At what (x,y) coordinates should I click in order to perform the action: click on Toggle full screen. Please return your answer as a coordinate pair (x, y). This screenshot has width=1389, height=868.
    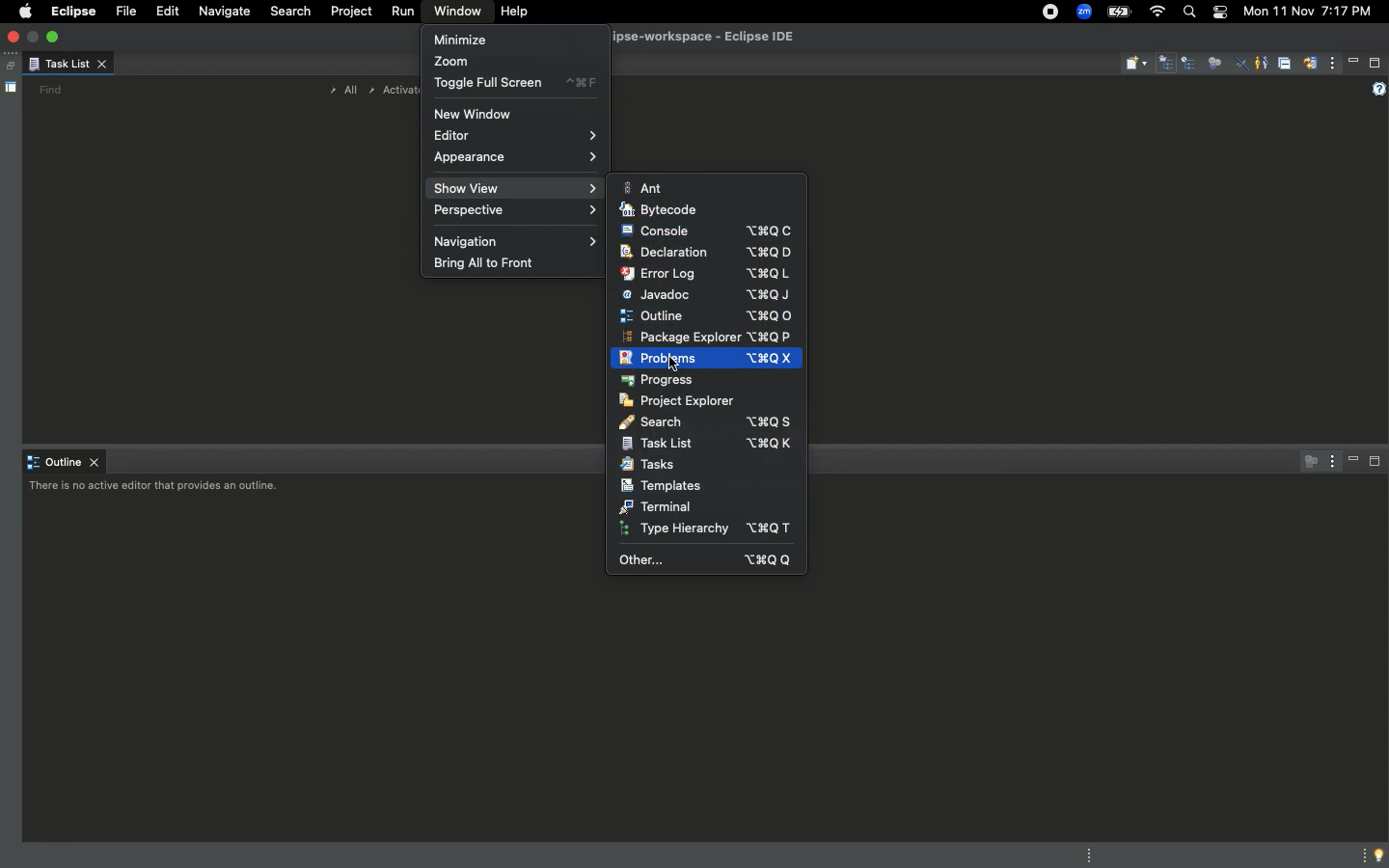
    Looking at the image, I should click on (514, 85).